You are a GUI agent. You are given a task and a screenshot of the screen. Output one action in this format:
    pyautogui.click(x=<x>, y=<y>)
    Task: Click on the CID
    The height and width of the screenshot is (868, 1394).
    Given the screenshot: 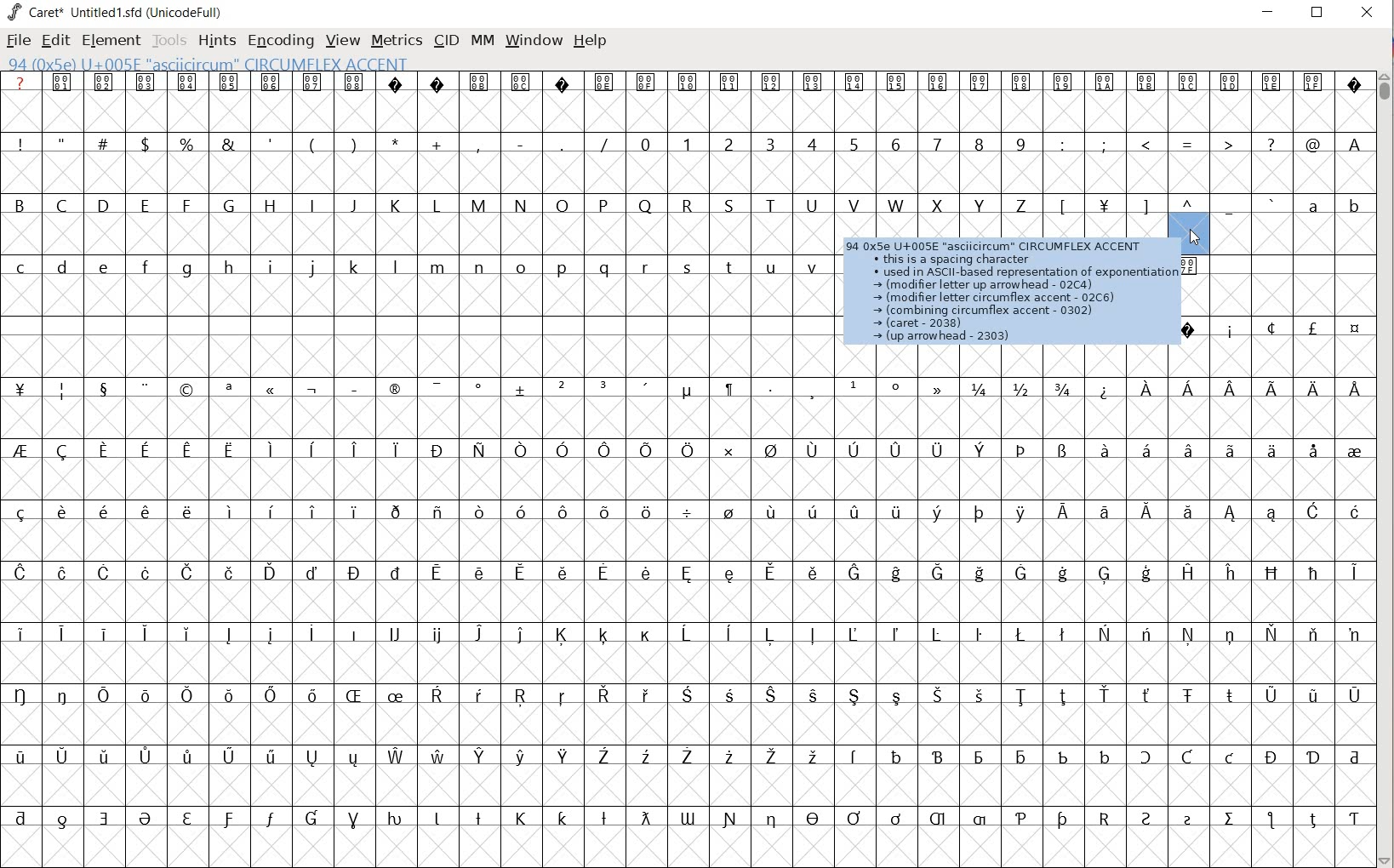 What is the action you would take?
    pyautogui.click(x=445, y=40)
    